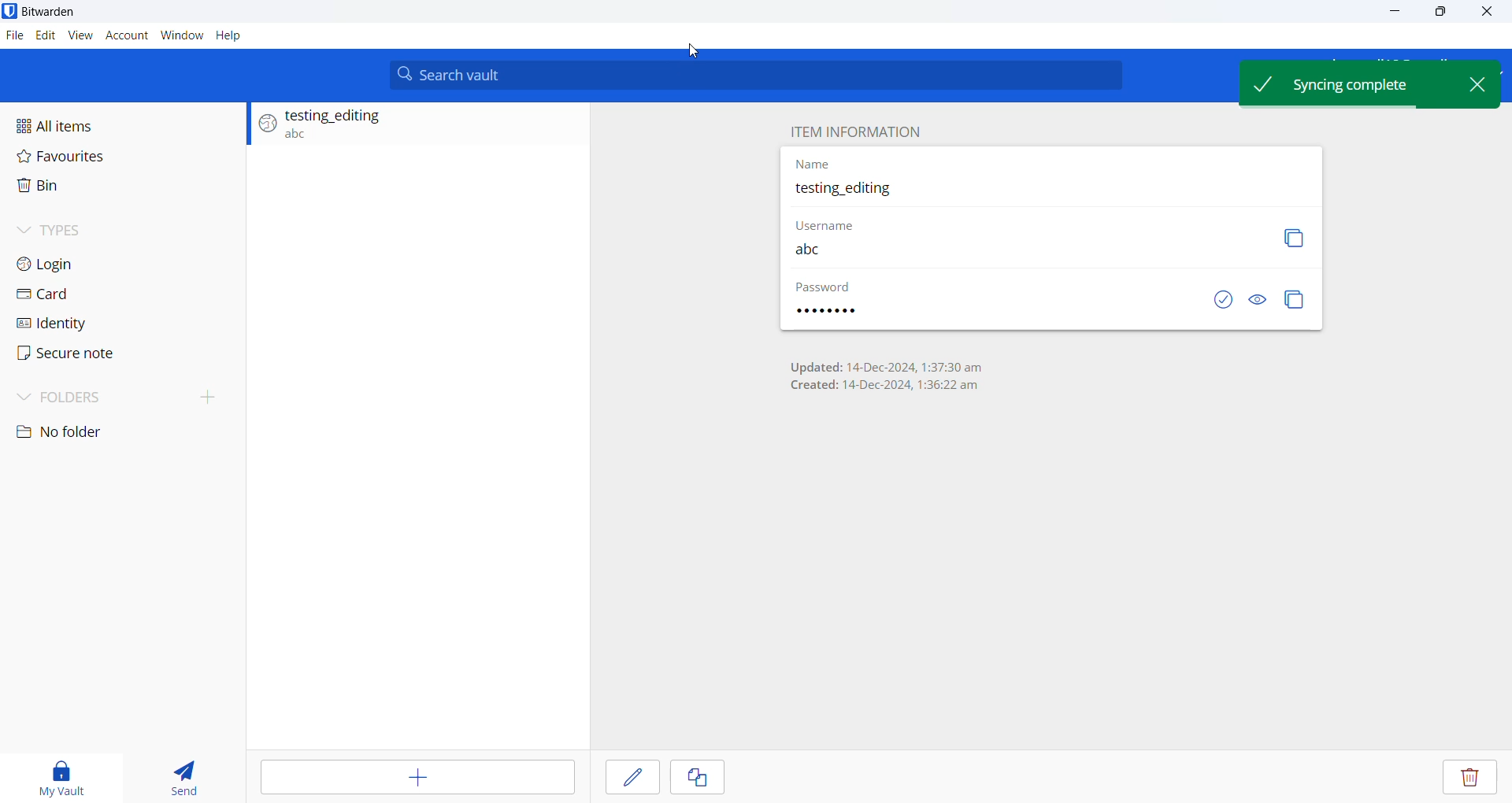  What do you see at coordinates (108, 295) in the screenshot?
I see `Card` at bounding box center [108, 295].